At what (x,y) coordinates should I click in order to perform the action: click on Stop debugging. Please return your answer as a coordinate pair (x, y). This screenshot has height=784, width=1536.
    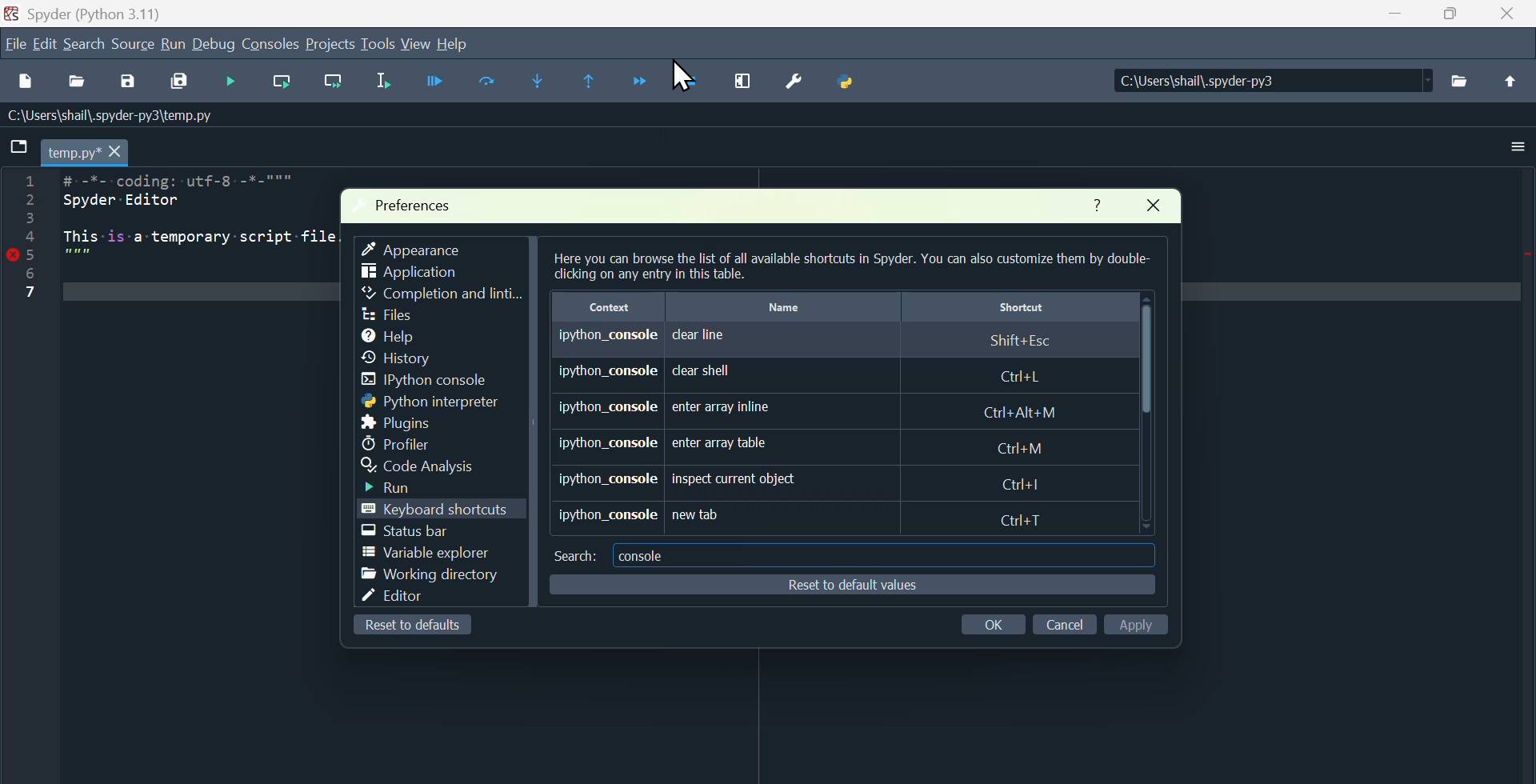
    Looking at the image, I should click on (693, 83).